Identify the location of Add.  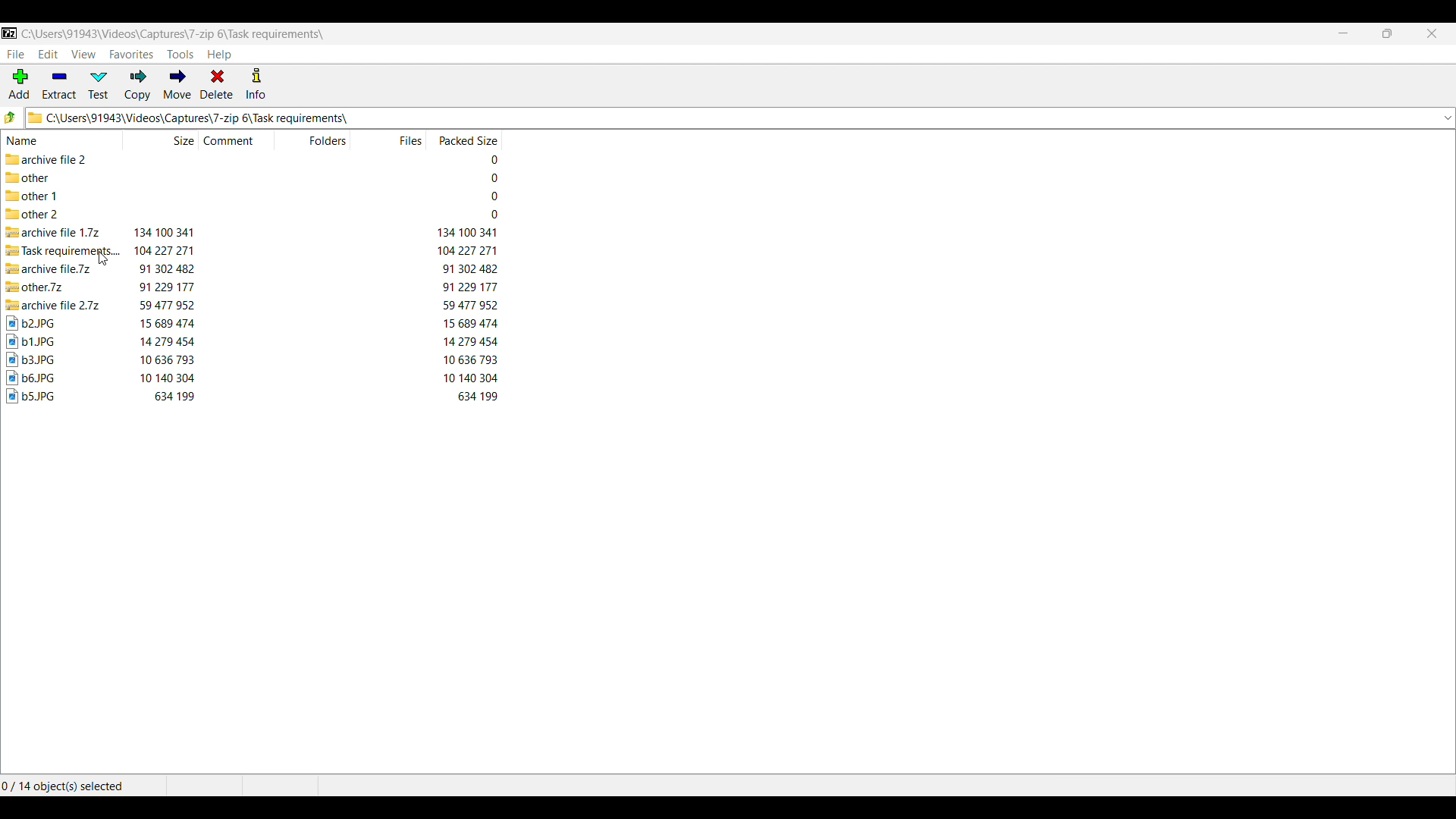
(19, 83).